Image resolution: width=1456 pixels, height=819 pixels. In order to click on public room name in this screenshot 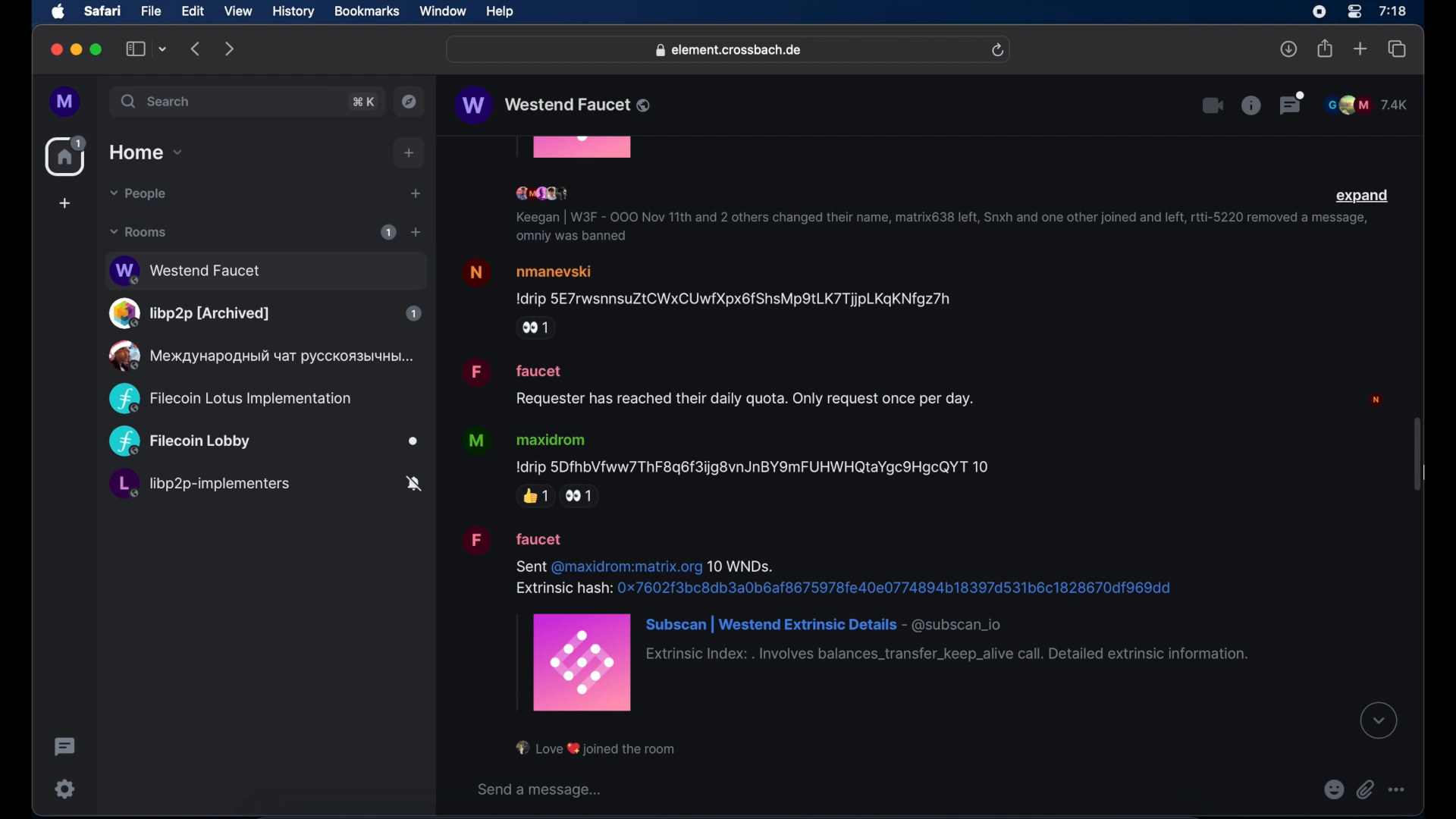, I will do `click(554, 105)`.